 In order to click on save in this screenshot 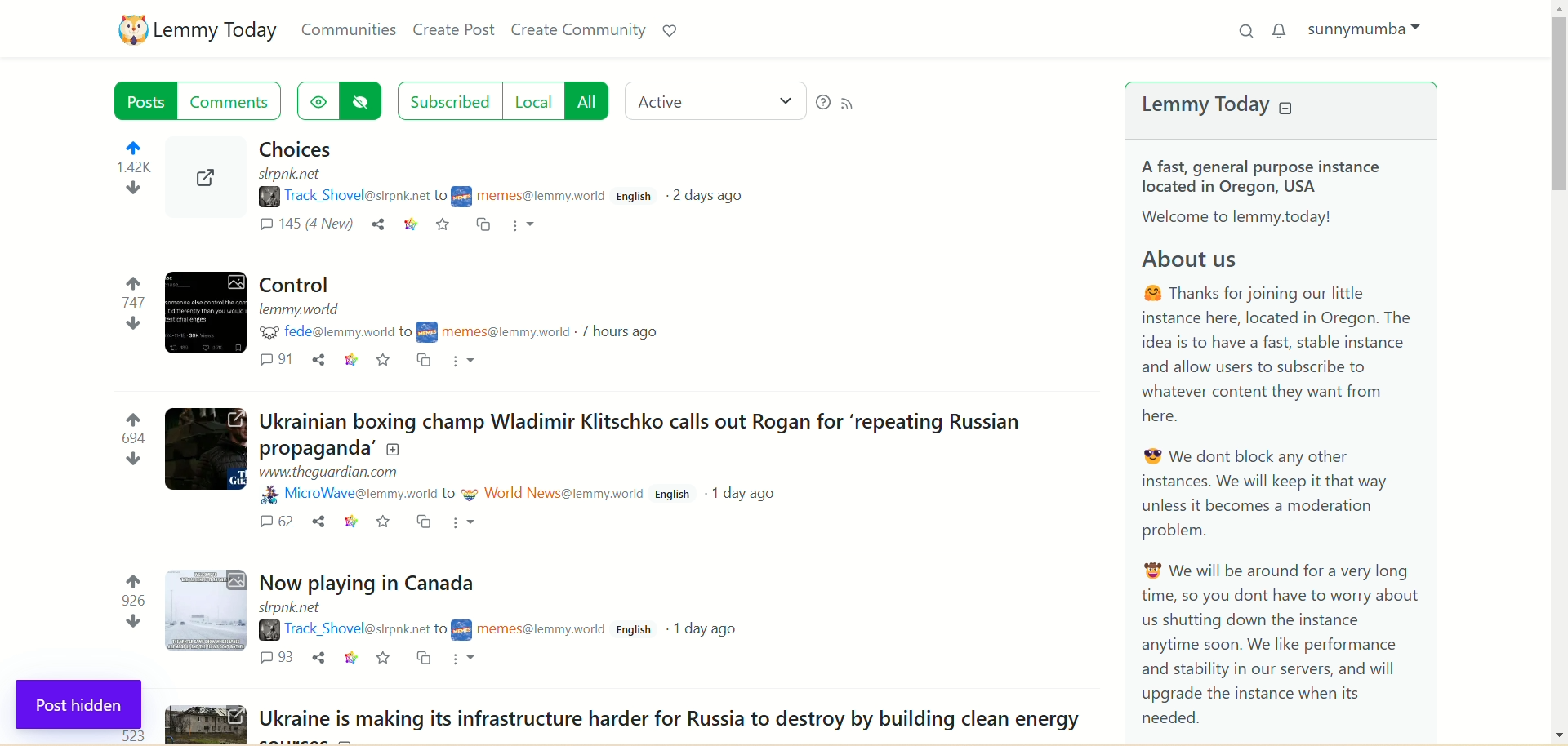, I will do `click(445, 227)`.